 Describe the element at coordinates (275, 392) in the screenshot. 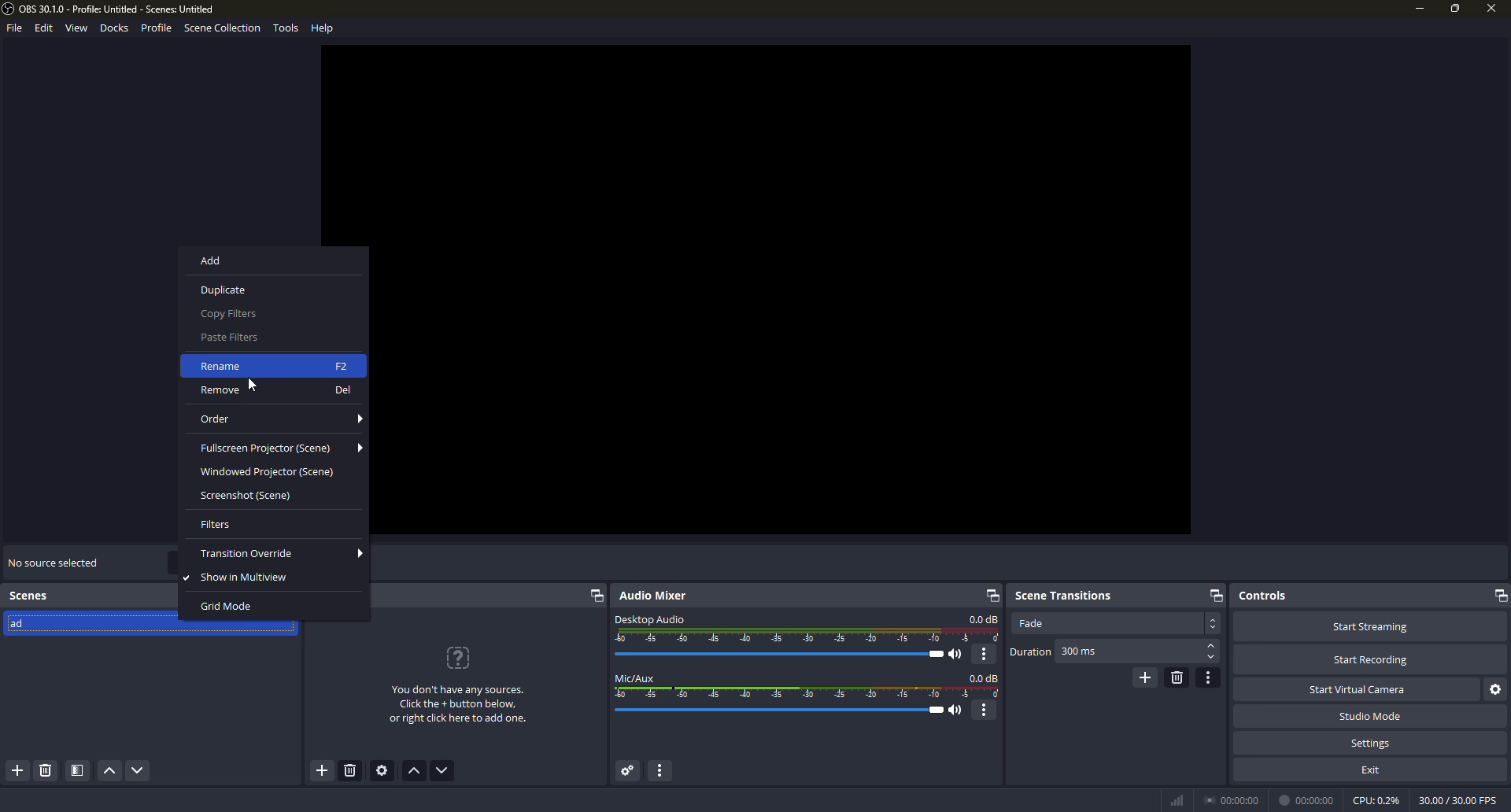

I see `Remove Del` at that location.